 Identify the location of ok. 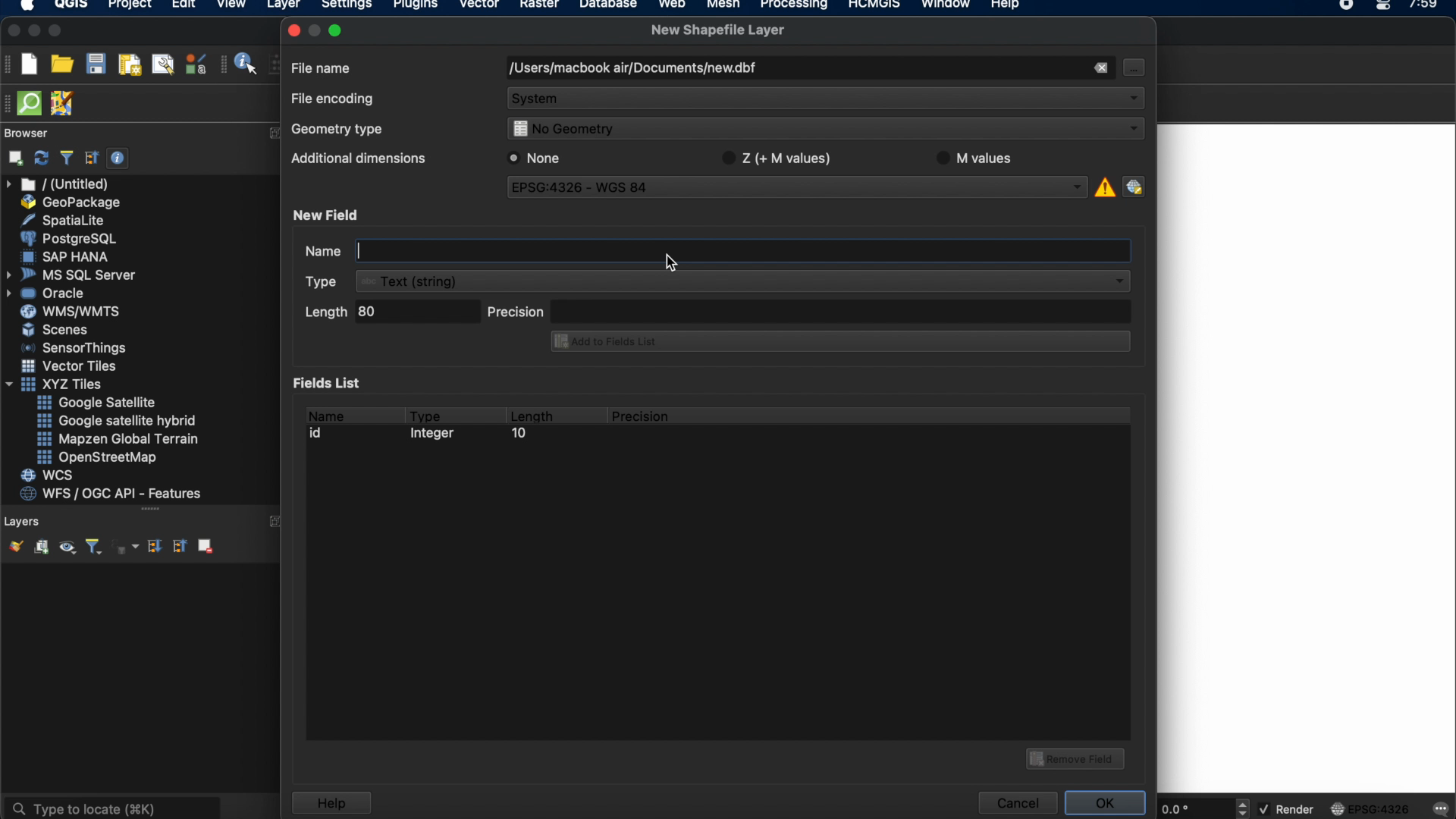
(1107, 801).